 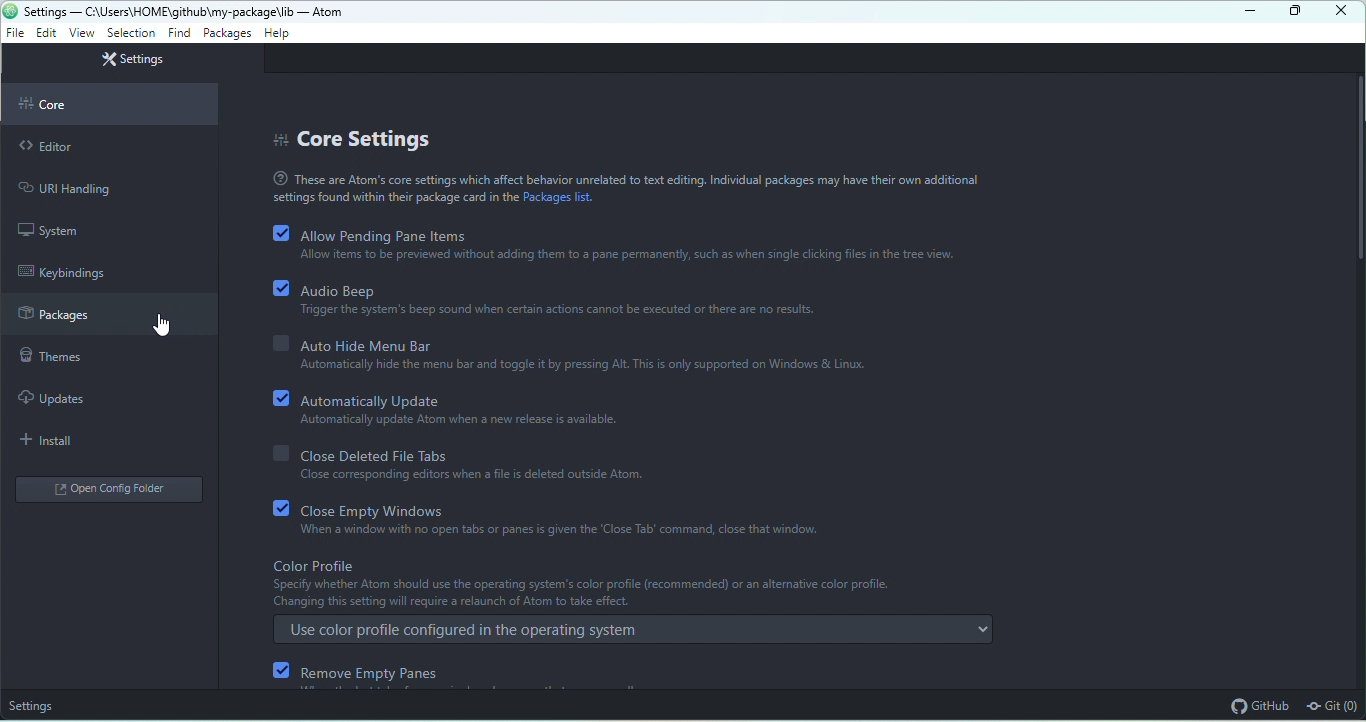 I want to click on editor, so click(x=108, y=147).